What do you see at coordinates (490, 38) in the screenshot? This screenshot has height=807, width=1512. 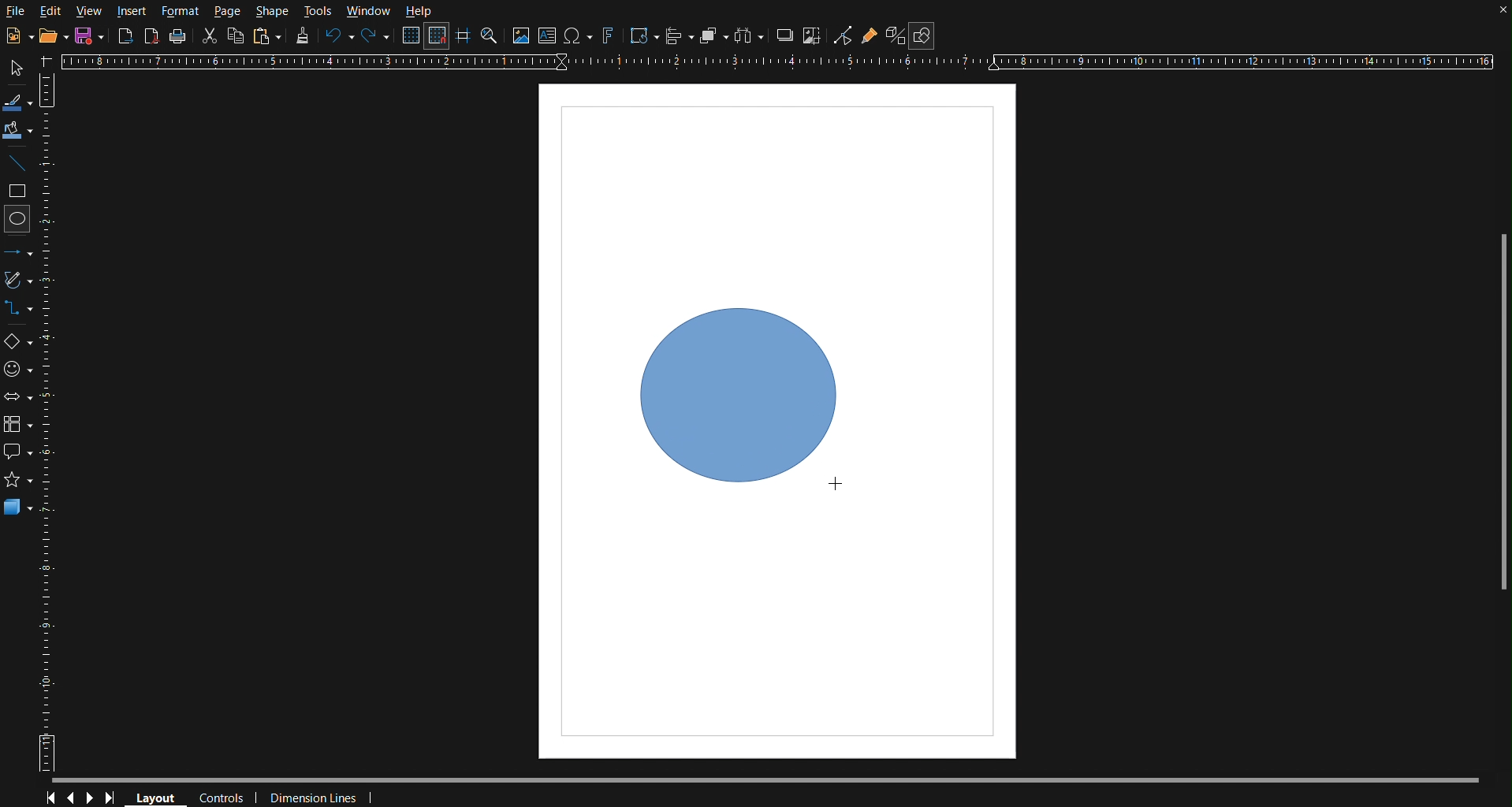 I see `Zoom and Pan` at bounding box center [490, 38].